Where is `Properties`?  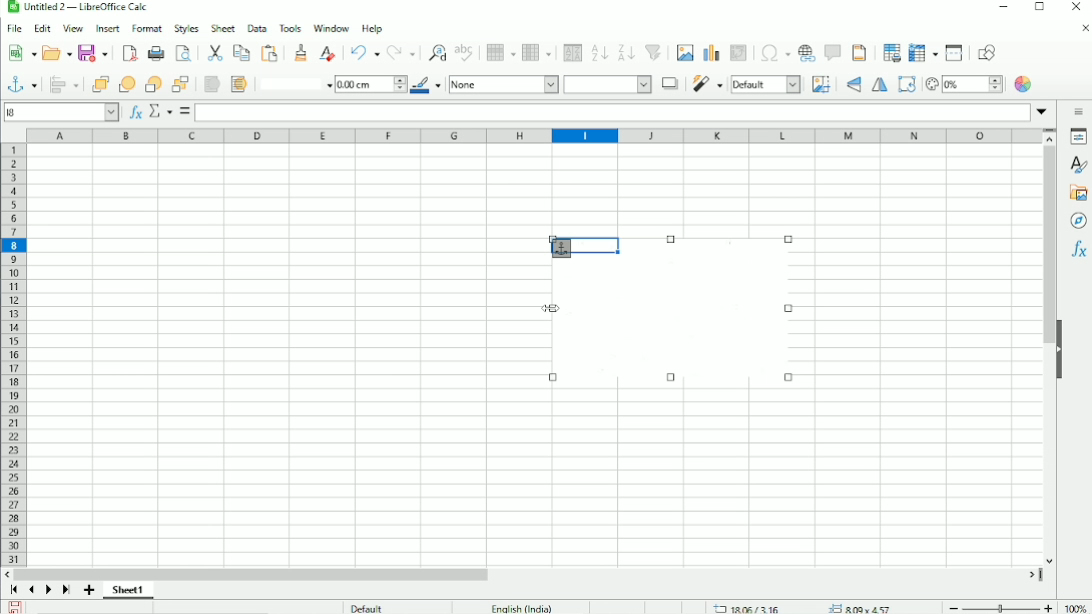
Properties is located at coordinates (1078, 137).